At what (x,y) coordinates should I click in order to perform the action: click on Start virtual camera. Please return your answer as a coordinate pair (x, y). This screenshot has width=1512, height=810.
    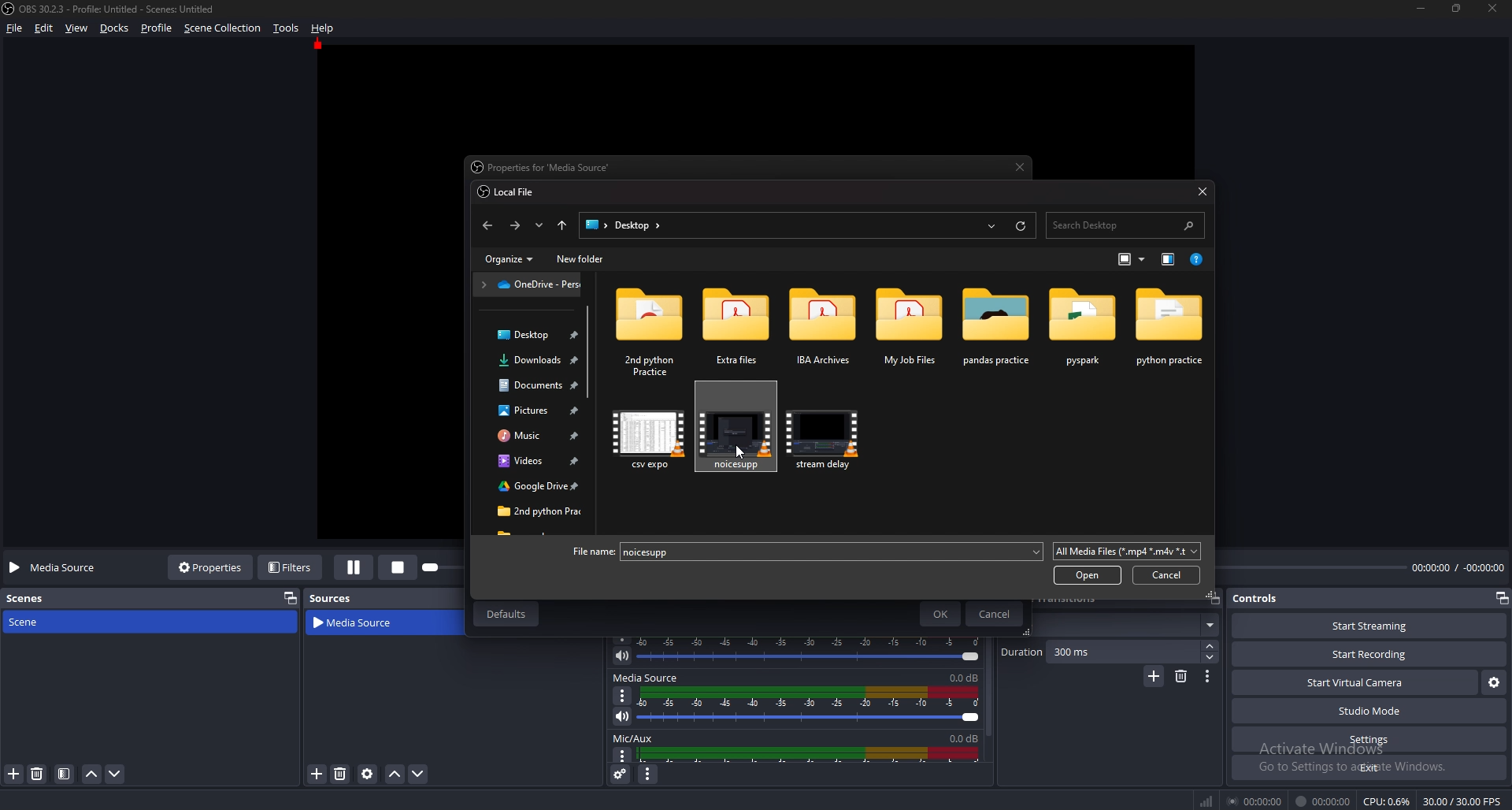
    Looking at the image, I should click on (1354, 682).